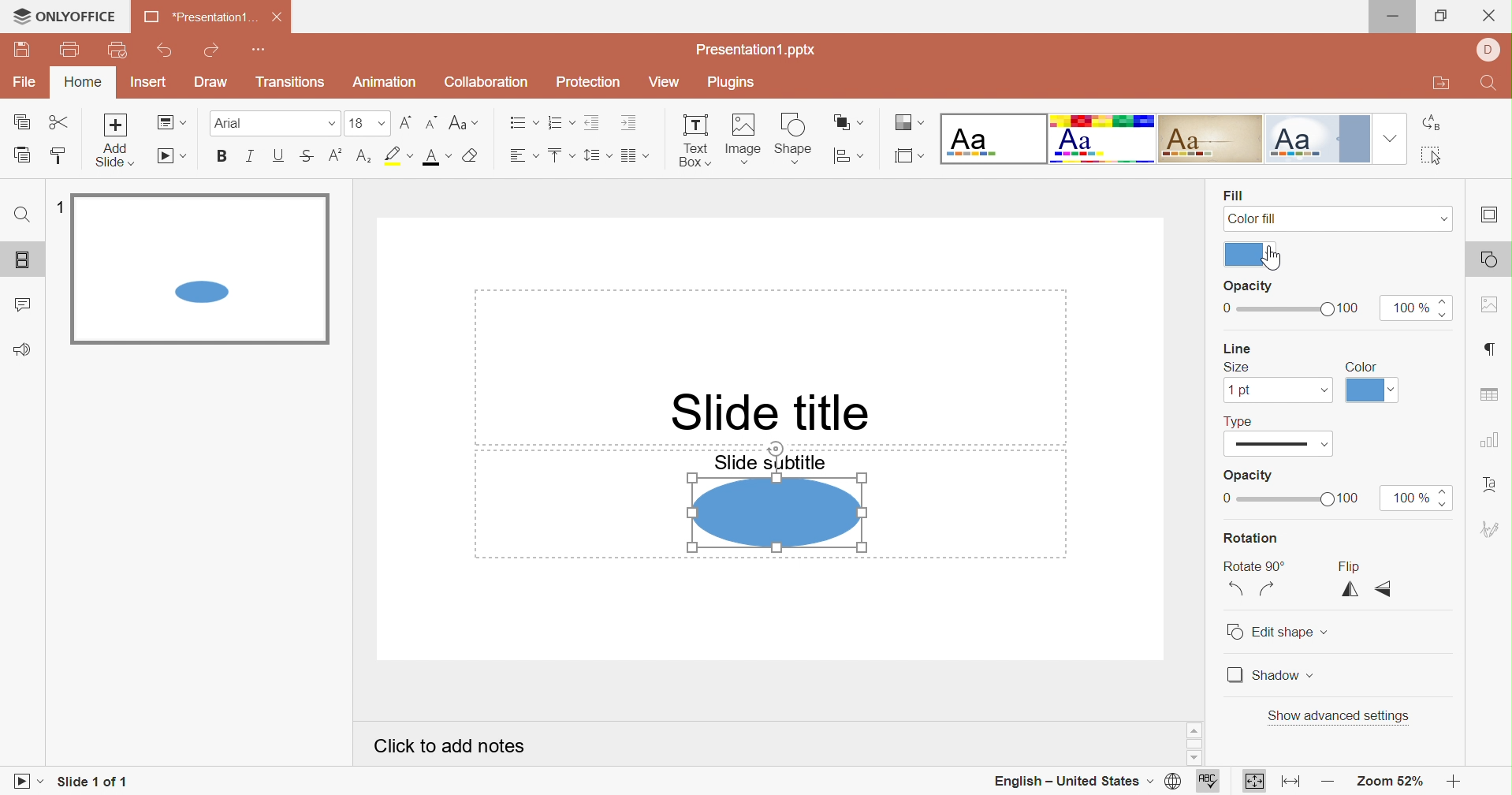 Image resolution: width=1512 pixels, height=795 pixels. What do you see at coordinates (1237, 349) in the screenshot?
I see `Line` at bounding box center [1237, 349].